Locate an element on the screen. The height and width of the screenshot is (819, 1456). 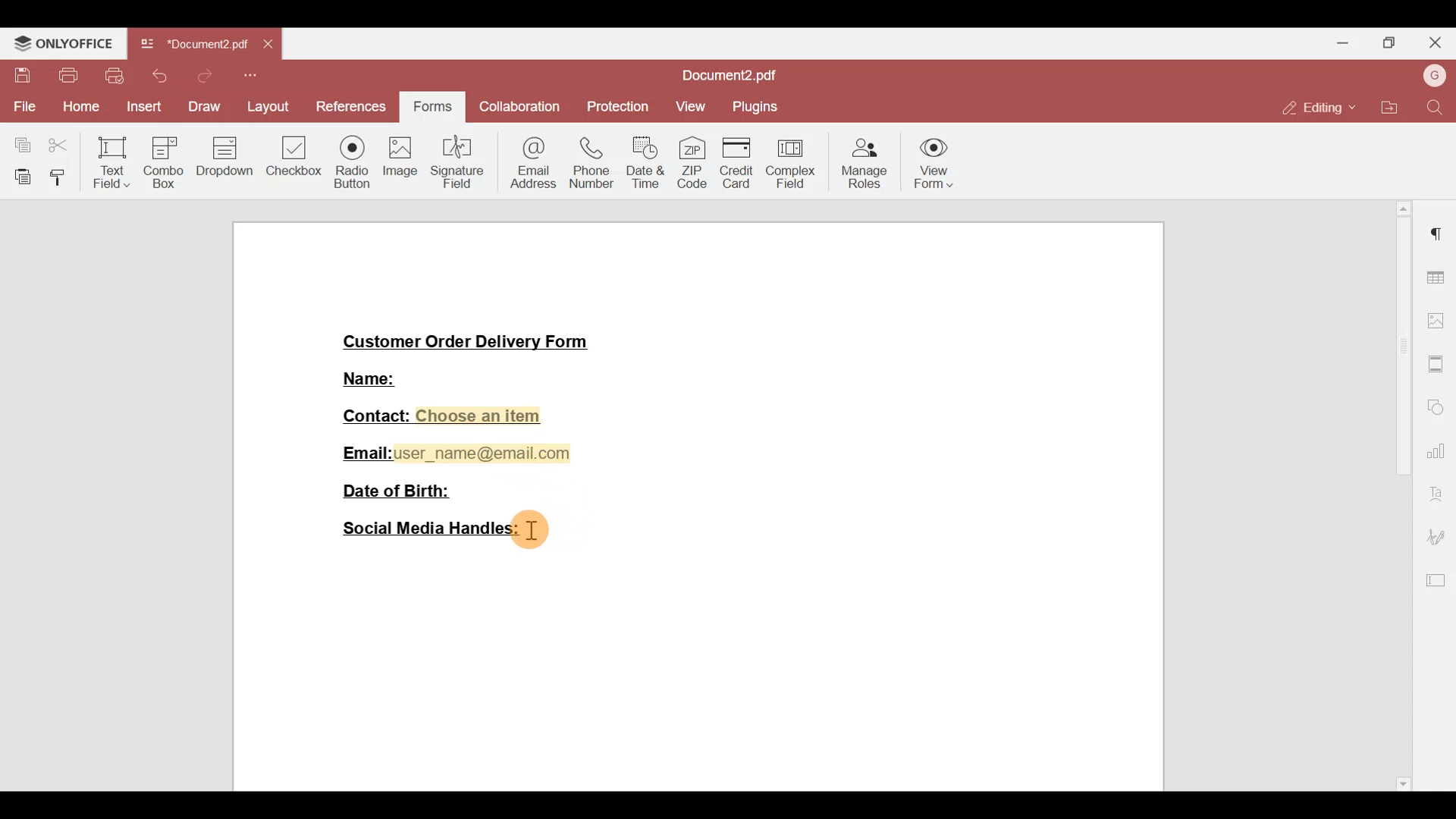
Maximize is located at coordinates (1395, 42).